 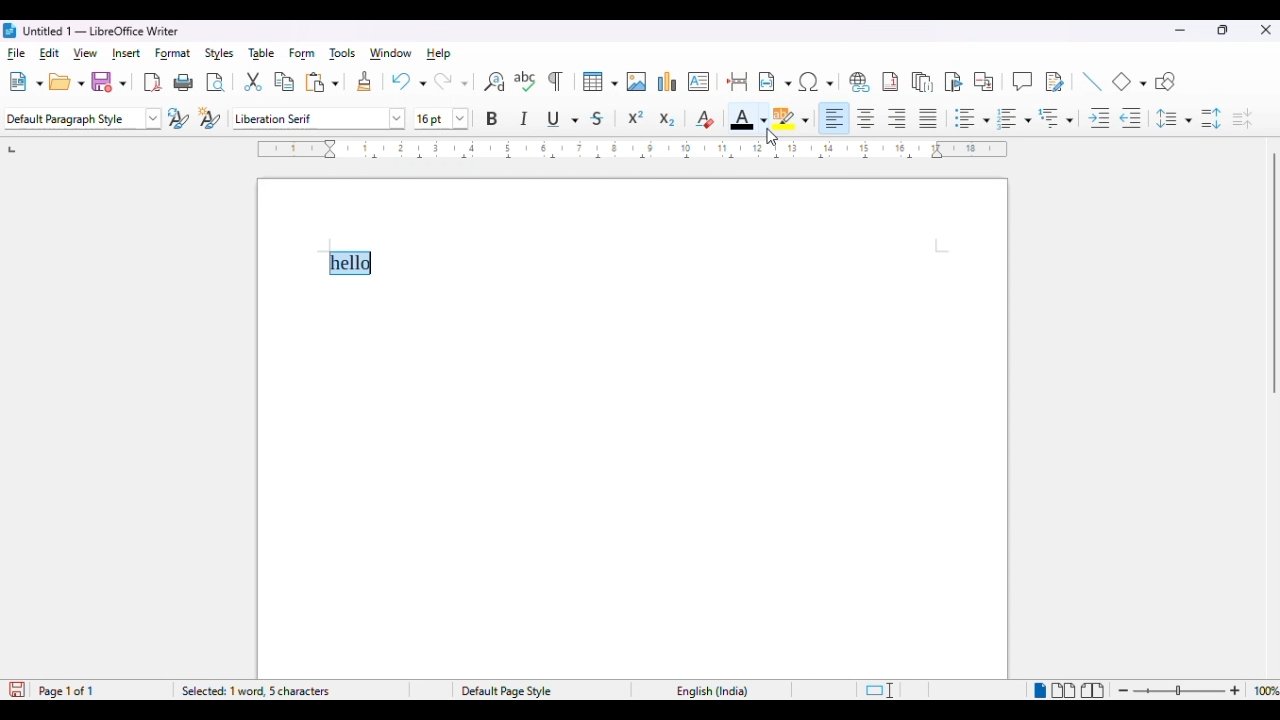 I want to click on insert image, so click(x=637, y=82).